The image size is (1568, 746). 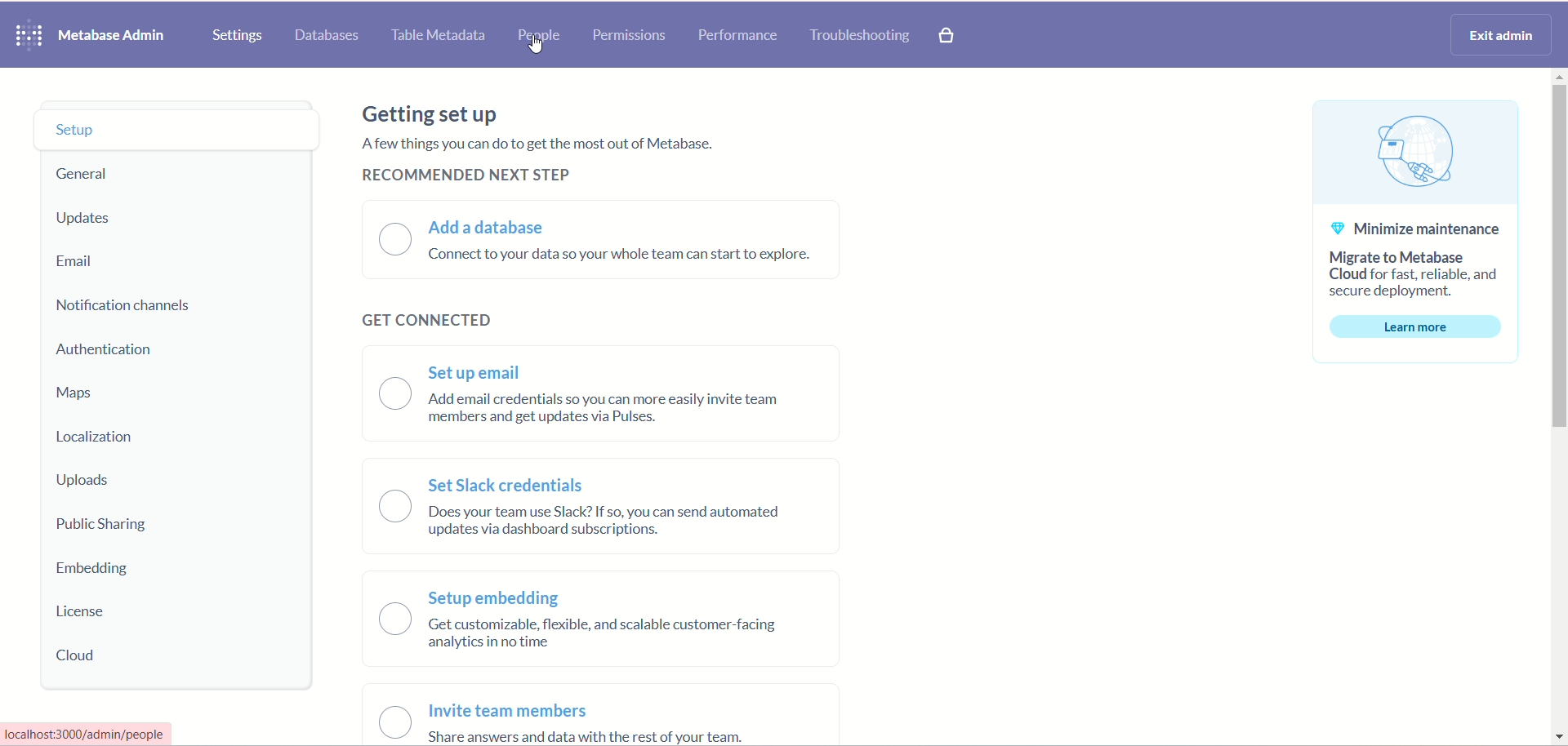 I want to click on maps, so click(x=84, y=395).